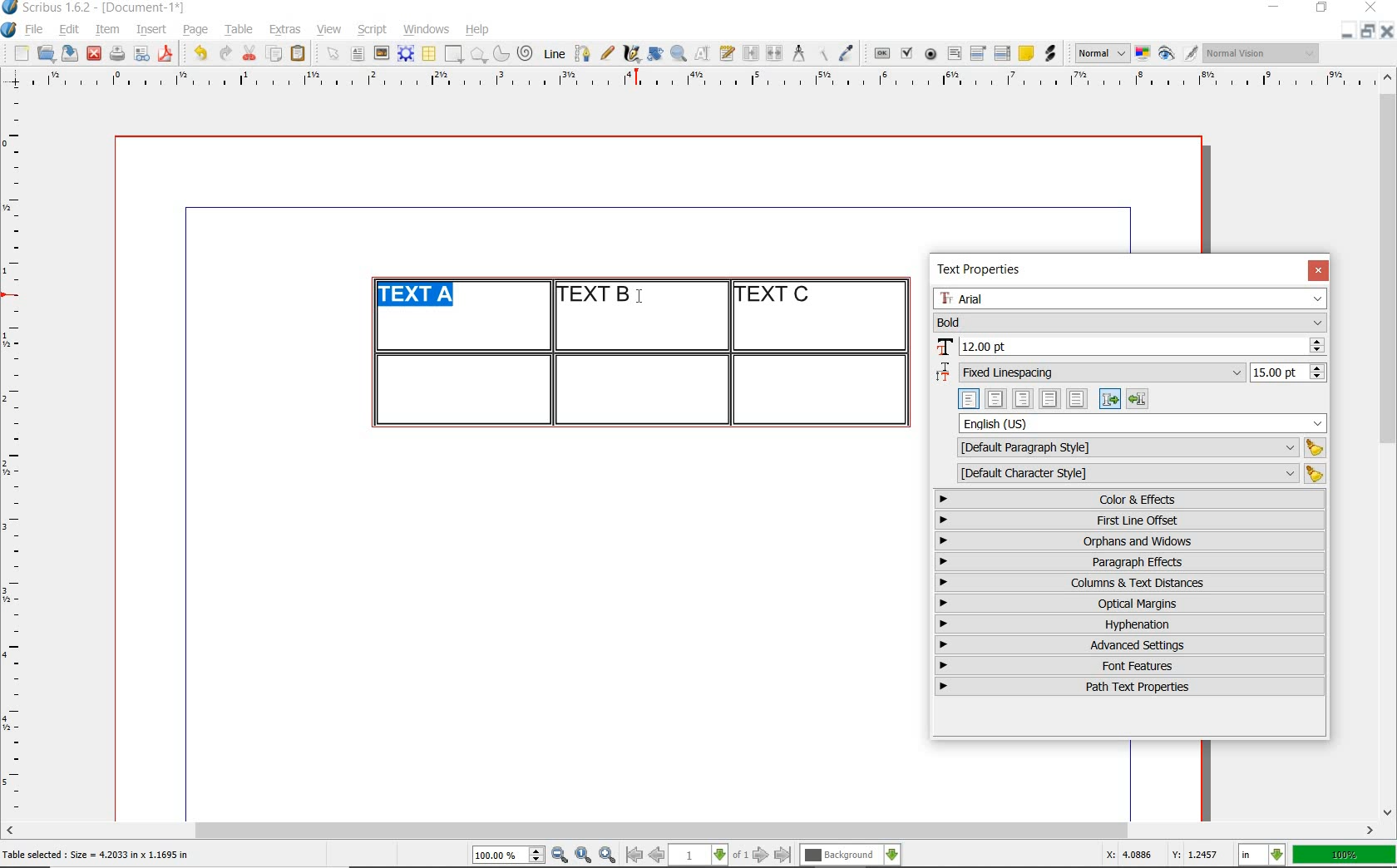 Image resolution: width=1397 pixels, height=868 pixels. Describe the element at coordinates (1368, 30) in the screenshot. I see `restore` at that location.